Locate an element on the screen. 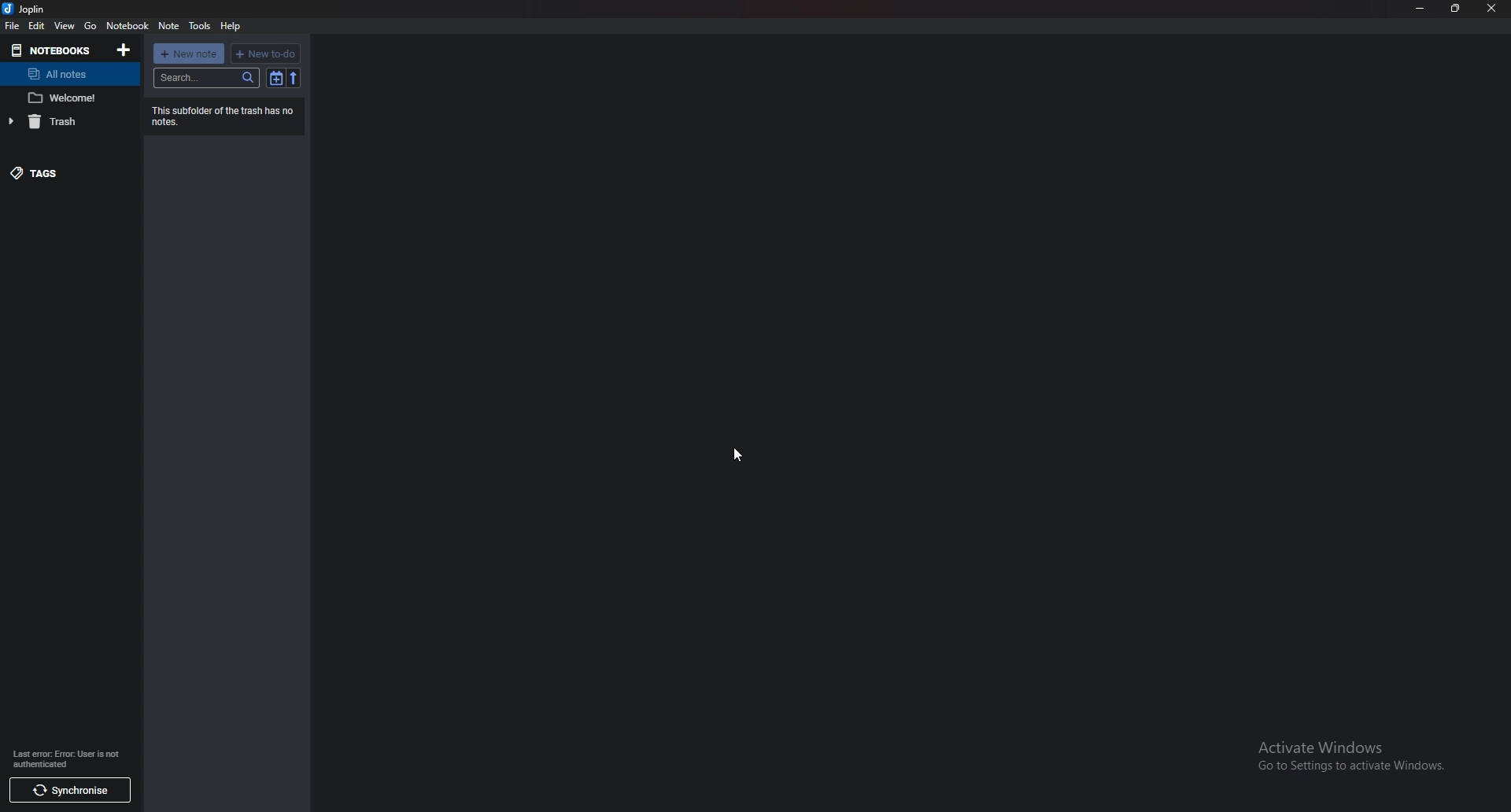 The image size is (1511, 812). Last error Error: User is not authenticated is located at coordinates (65, 758).